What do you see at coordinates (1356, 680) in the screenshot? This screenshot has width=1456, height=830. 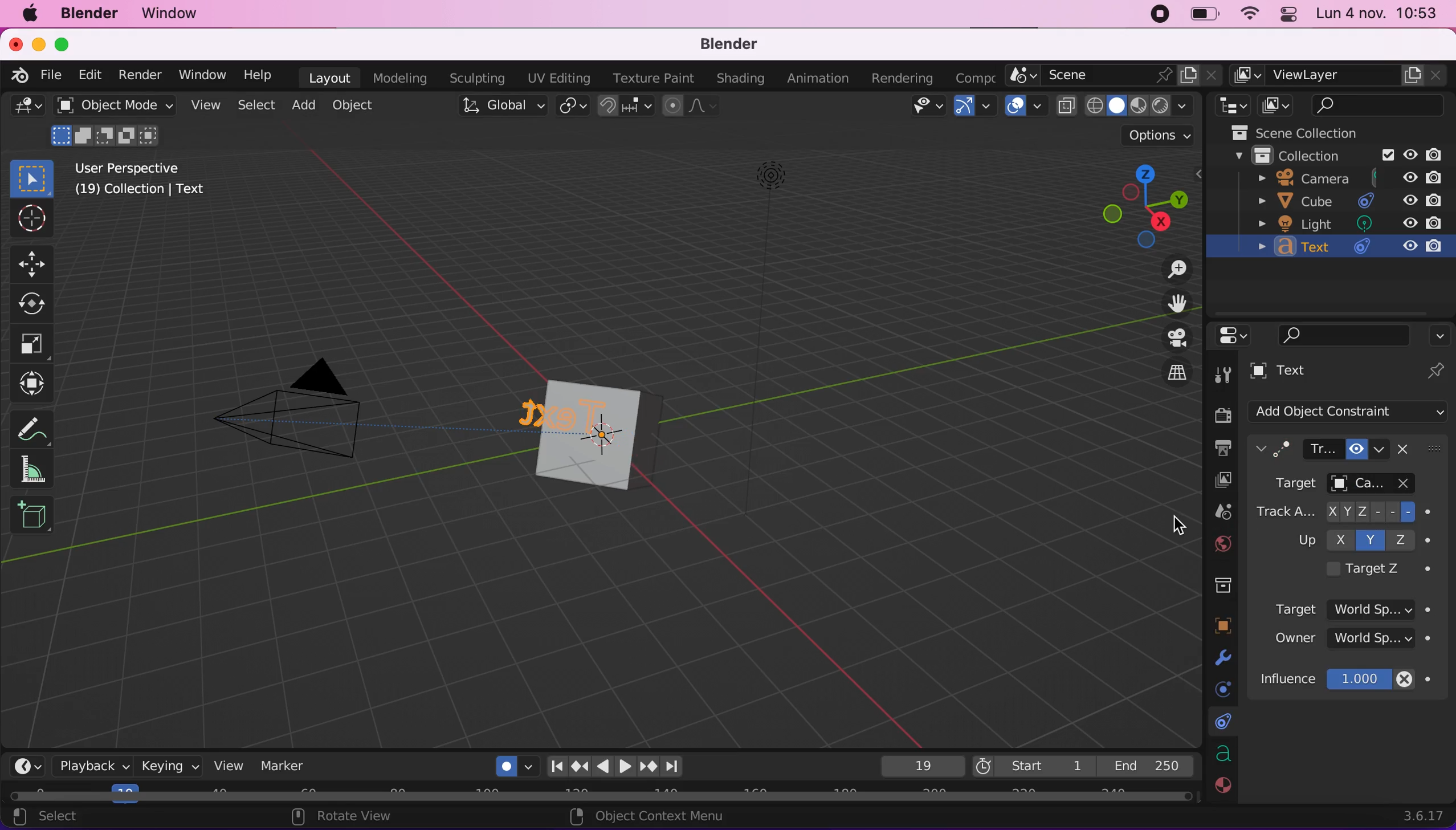 I see `influence 1.000` at bounding box center [1356, 680].